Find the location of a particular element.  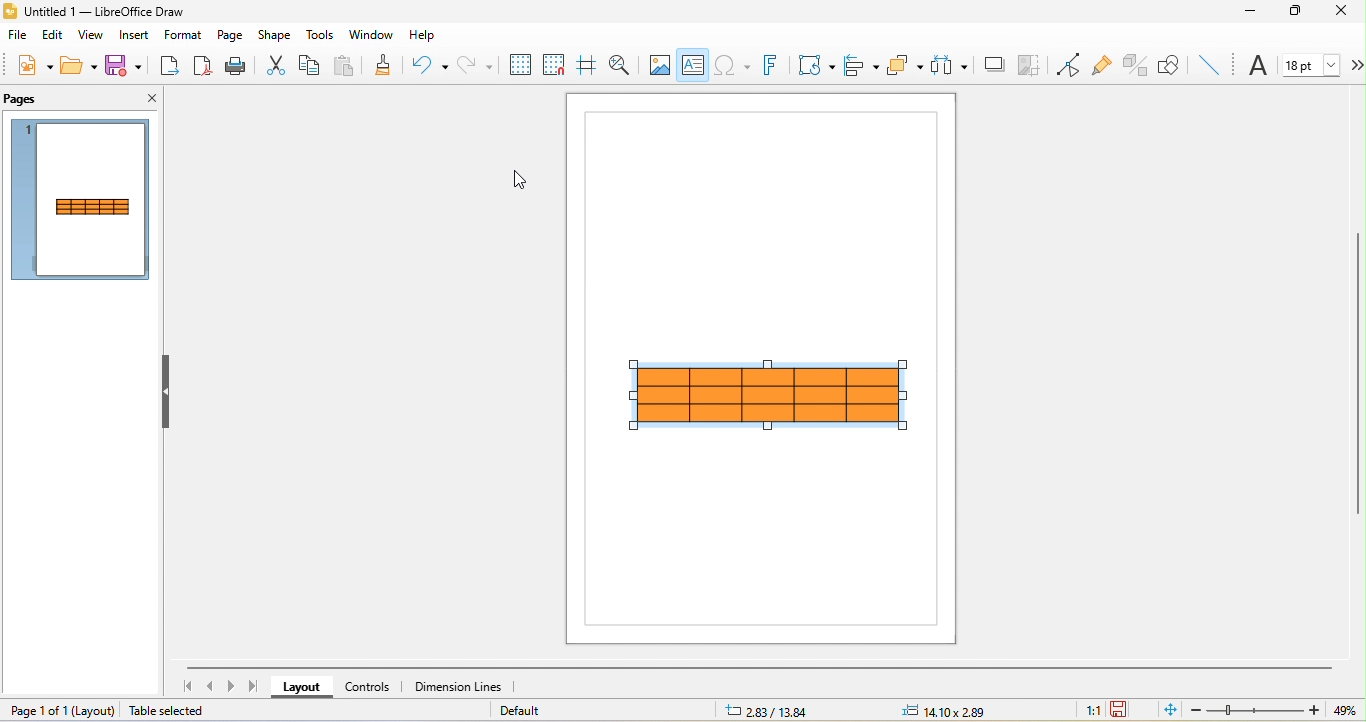

align object is located at coordinates (858, 65).